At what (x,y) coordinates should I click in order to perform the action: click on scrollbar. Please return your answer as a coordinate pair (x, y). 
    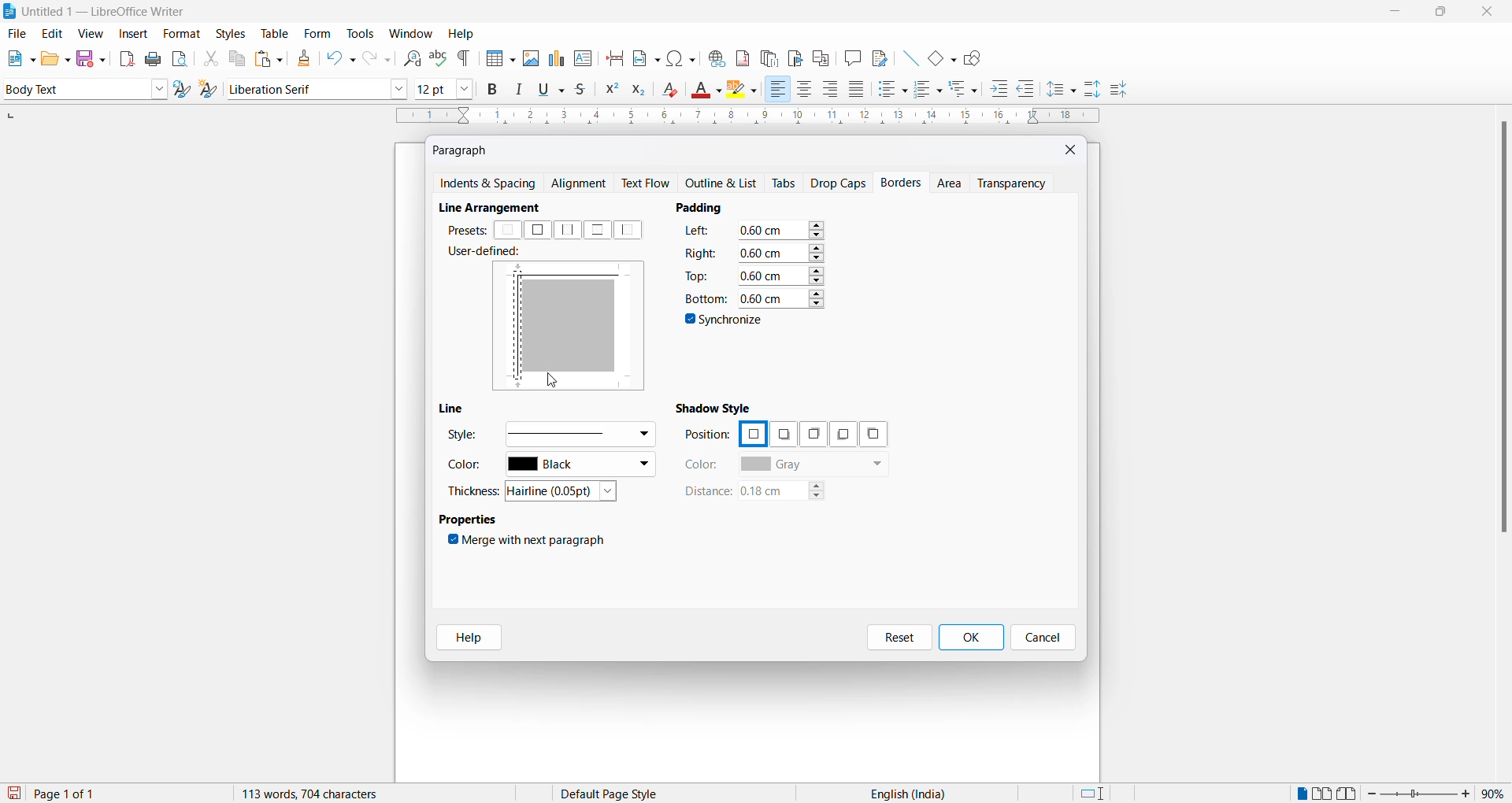
    Looking at the image, I should click on (1503, 335).